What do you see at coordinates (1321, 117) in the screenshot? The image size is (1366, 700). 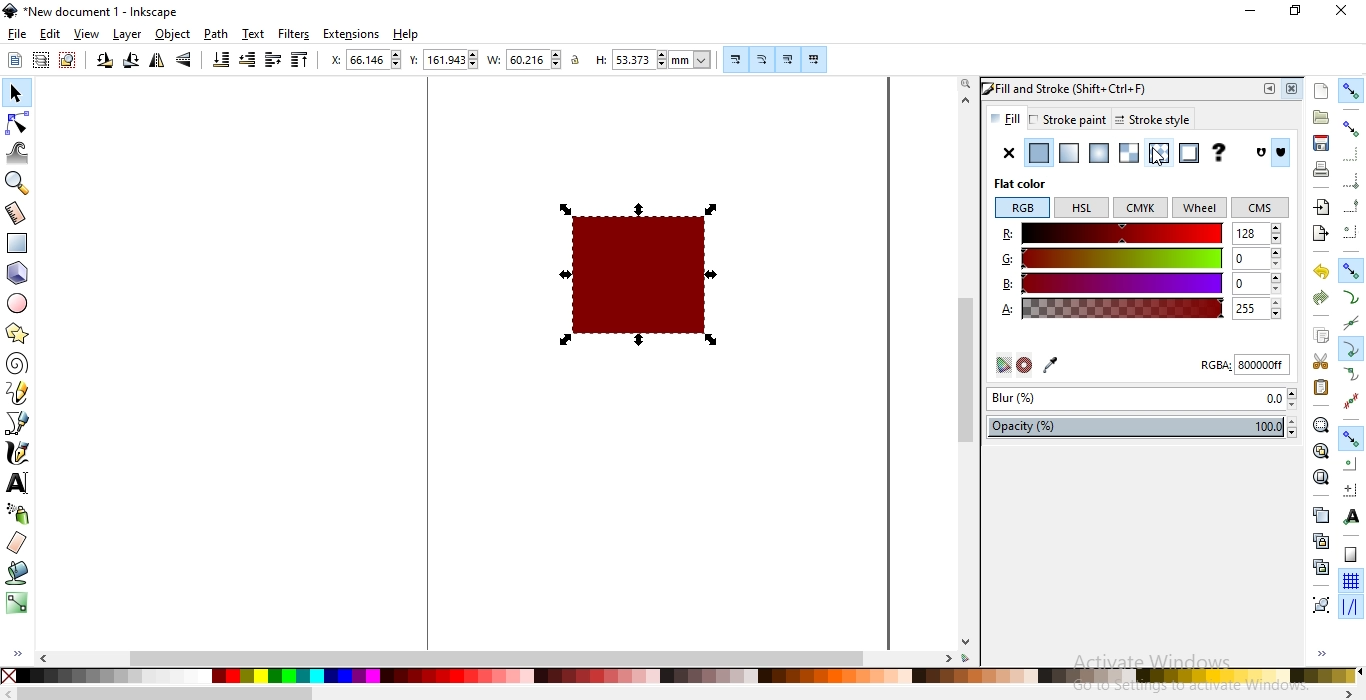 I see `open existing document` at bounding box center [1321, 117].